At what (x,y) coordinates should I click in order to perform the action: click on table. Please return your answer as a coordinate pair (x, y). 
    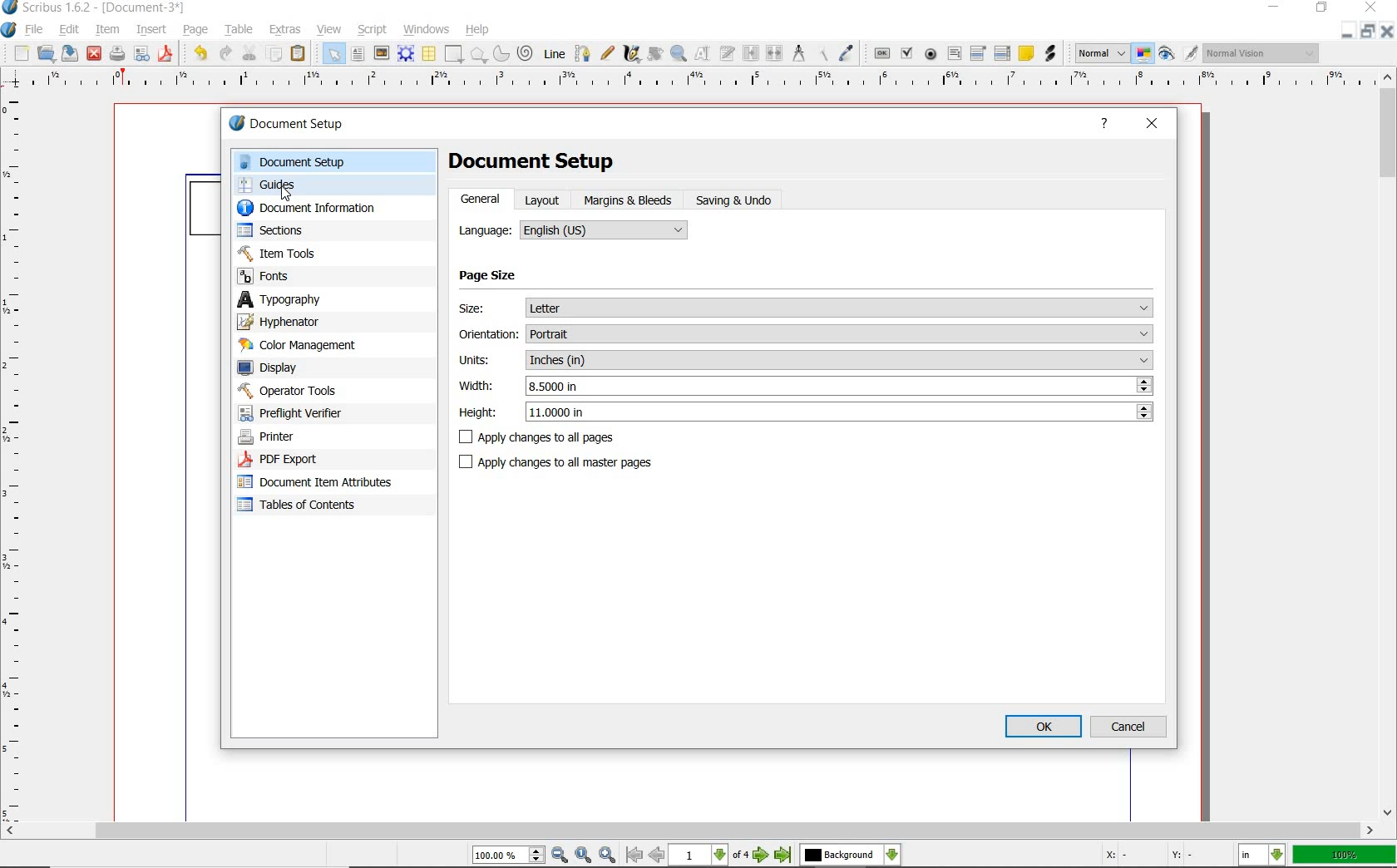
    Looking at the image, I should click on (237, 31).